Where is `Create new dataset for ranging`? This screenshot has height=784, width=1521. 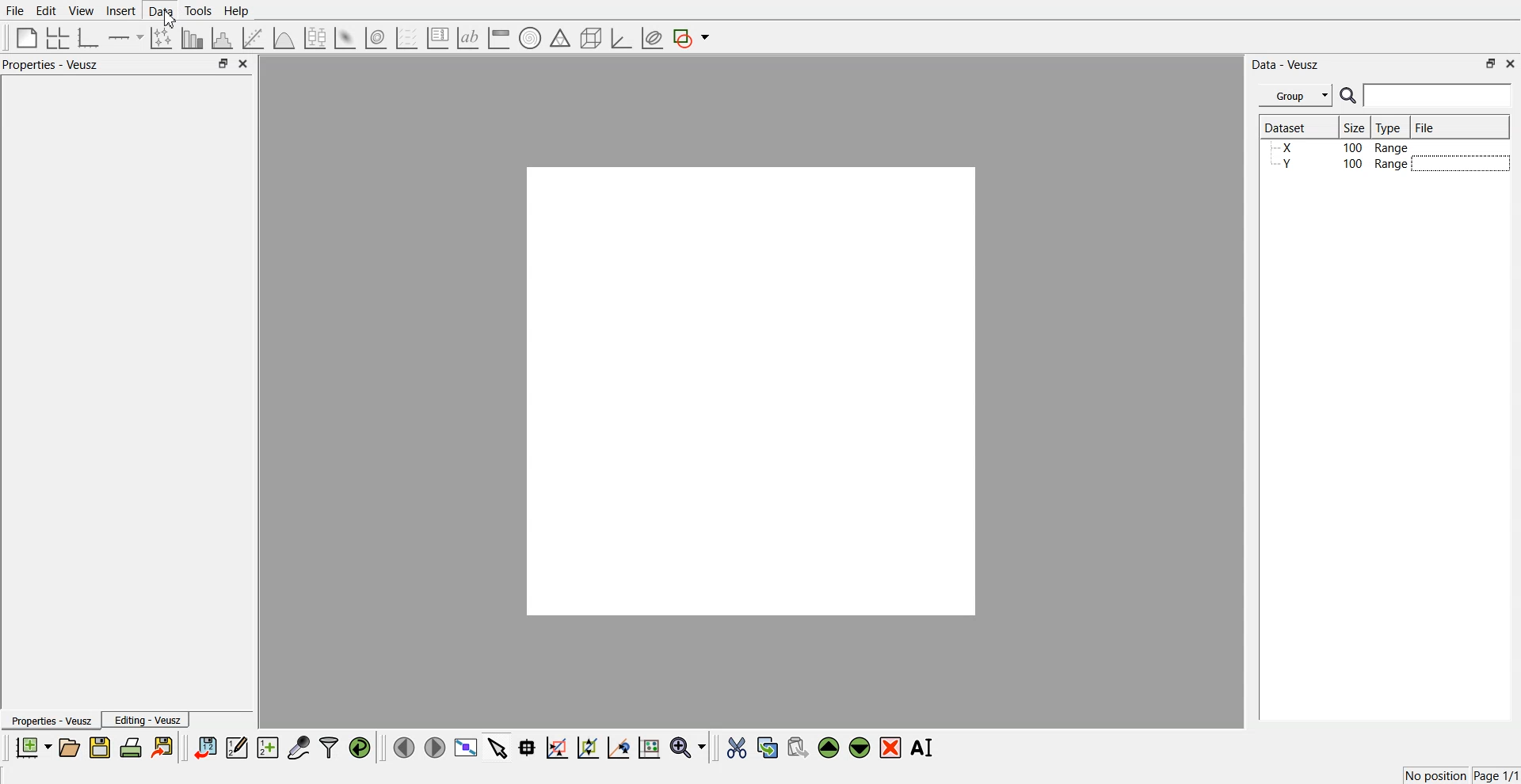
Create new dataset for ranging is located at coordinates (267, 748).